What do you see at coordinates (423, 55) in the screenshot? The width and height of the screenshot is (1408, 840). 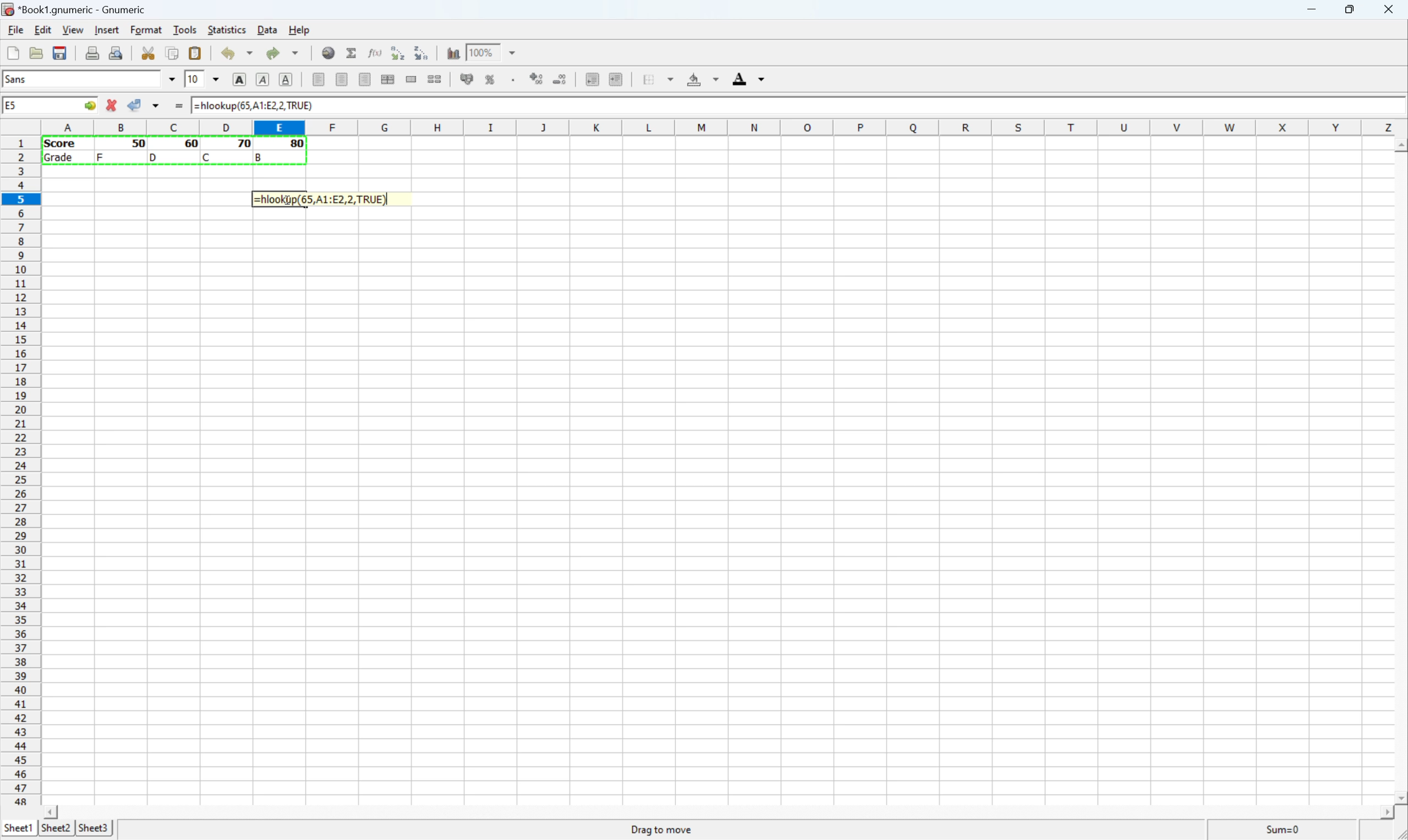 I see `sort the selected region in descending order based on the first column selected ` at bounding box center [423, 55].